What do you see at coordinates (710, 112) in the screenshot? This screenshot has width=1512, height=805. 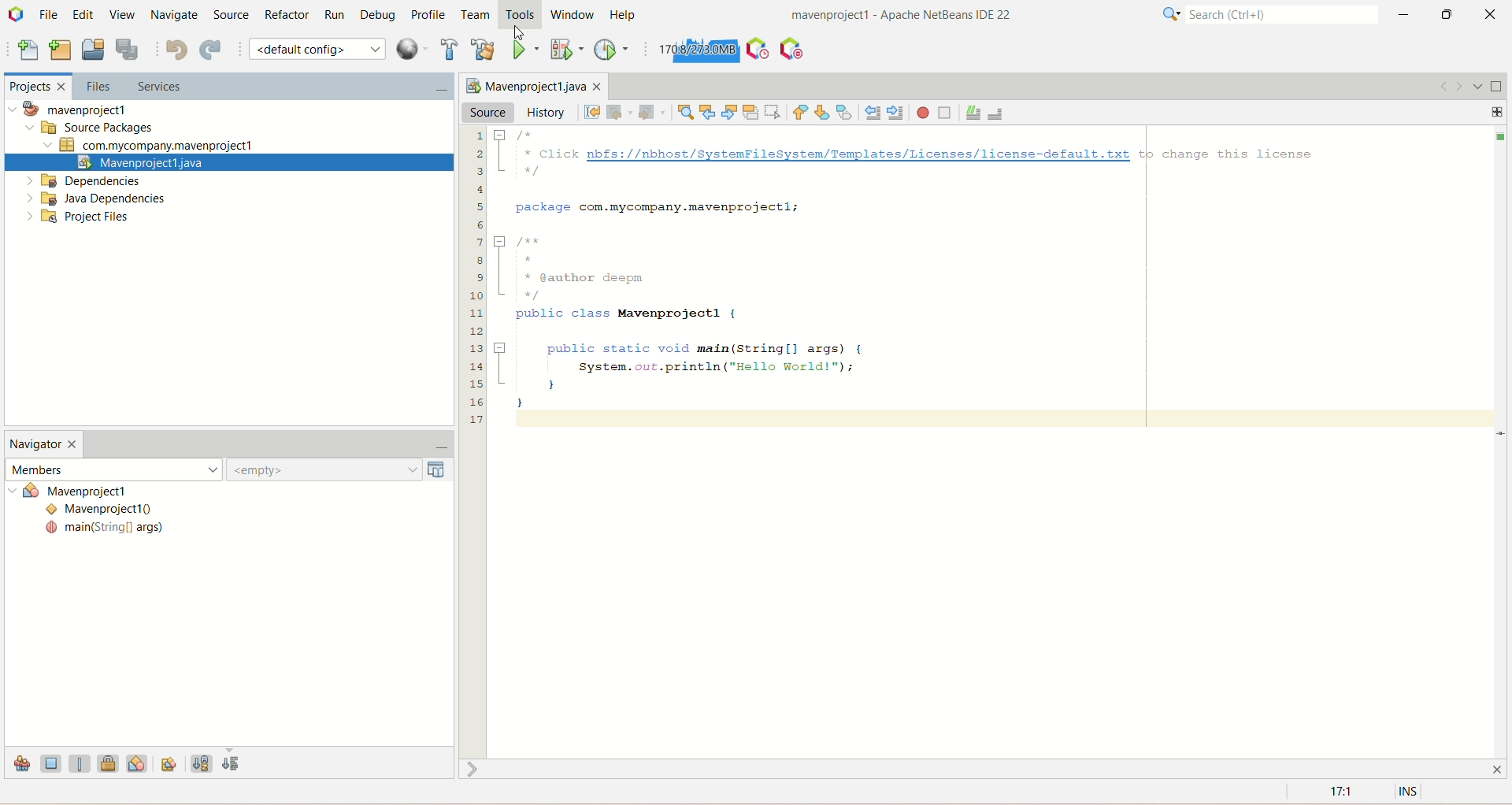 I see `find previous occurrence` at bounding box center [710, 112].